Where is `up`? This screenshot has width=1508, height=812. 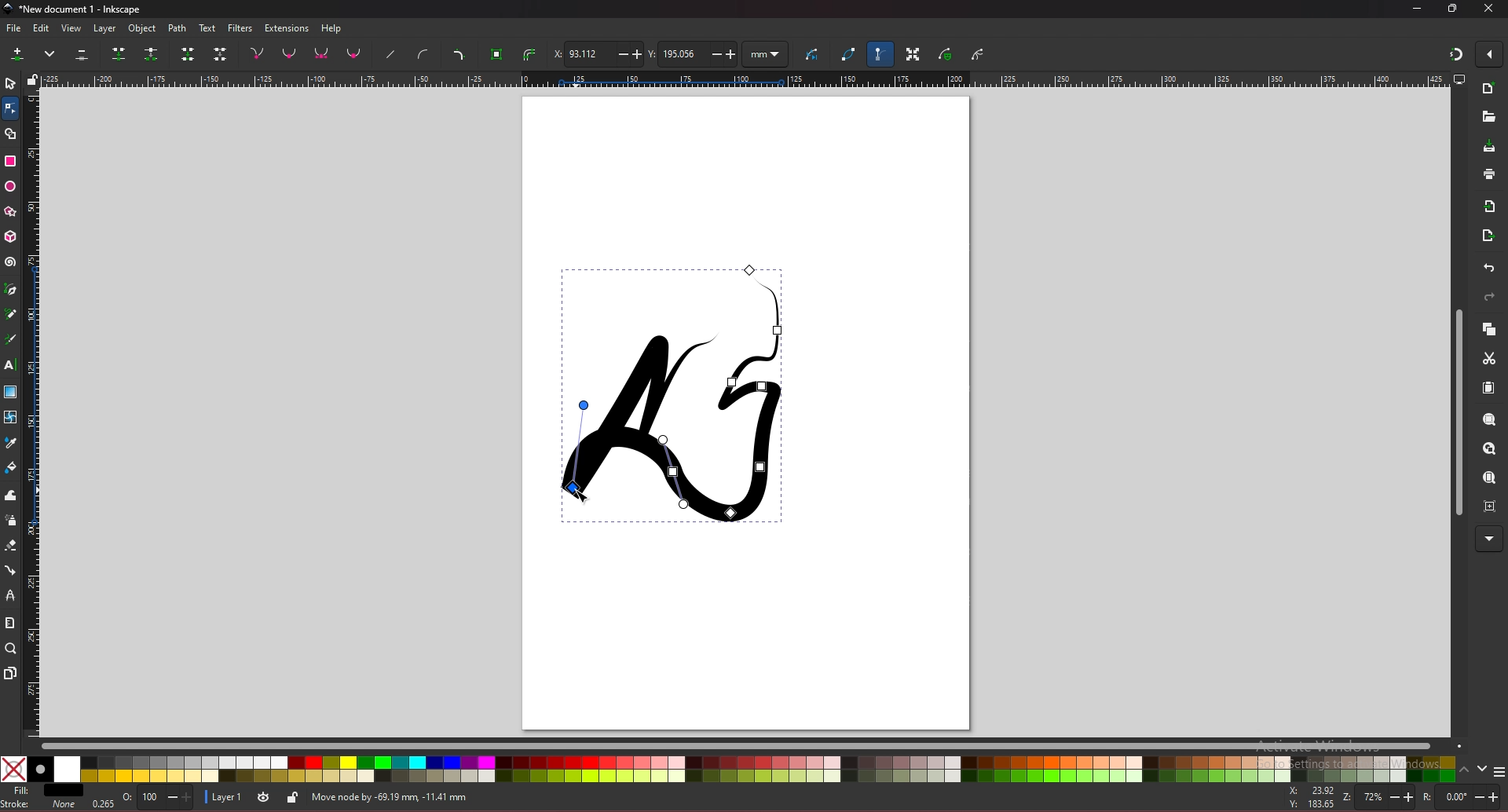
up is located at coordinates (1466, 768).